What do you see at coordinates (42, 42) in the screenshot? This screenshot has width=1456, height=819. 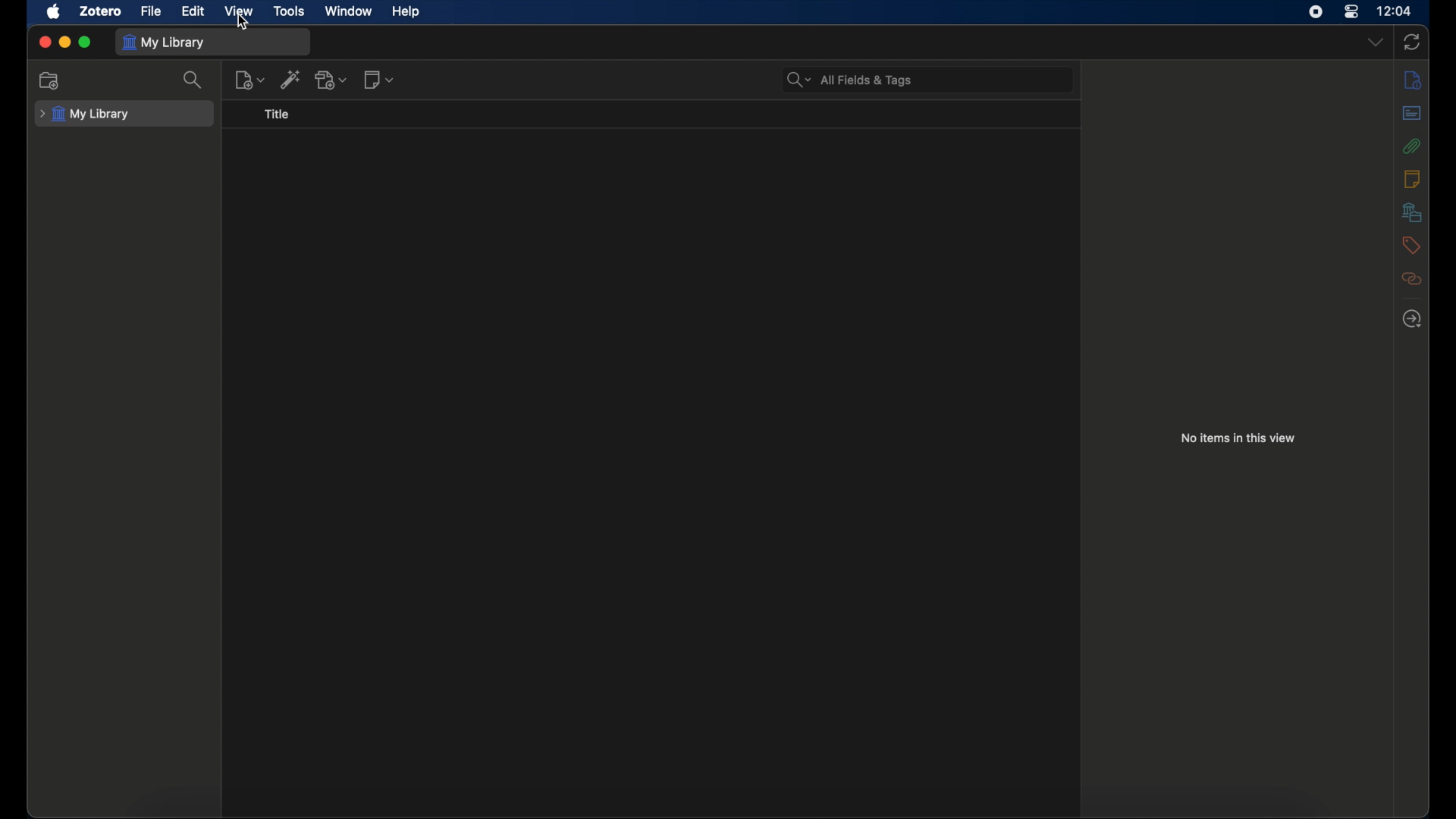 I see `close` at bounding box center [42, 42].